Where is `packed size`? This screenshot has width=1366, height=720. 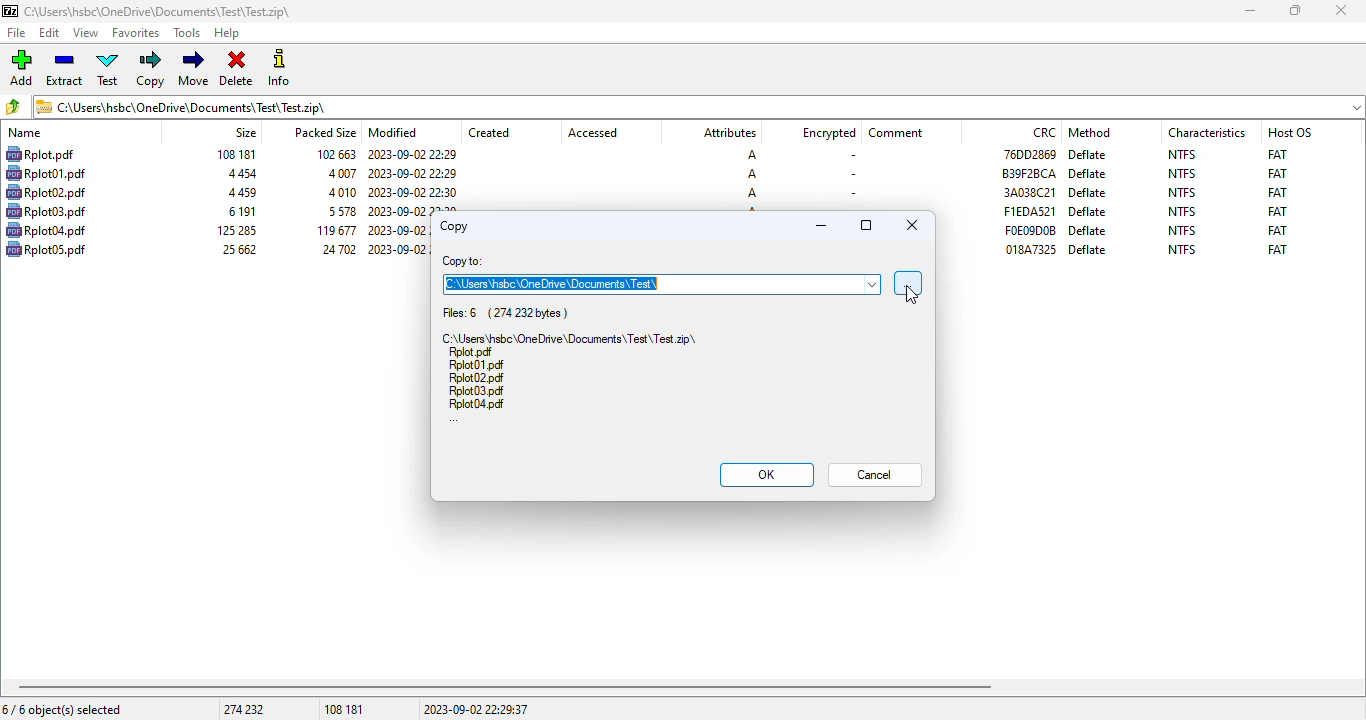 packed size is located at coordinates (333, 230).